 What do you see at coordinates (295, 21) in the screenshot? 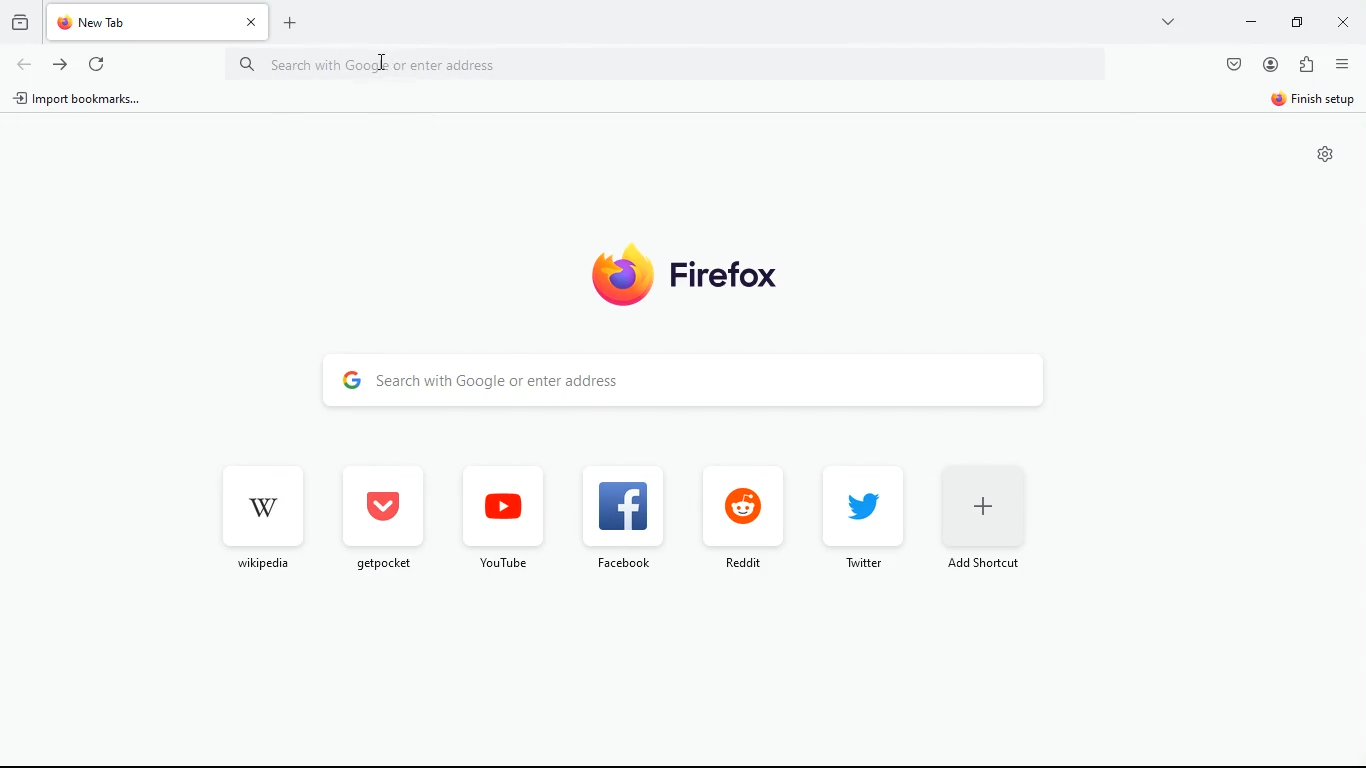
I see `add tab` at bounding box center [295, 21].